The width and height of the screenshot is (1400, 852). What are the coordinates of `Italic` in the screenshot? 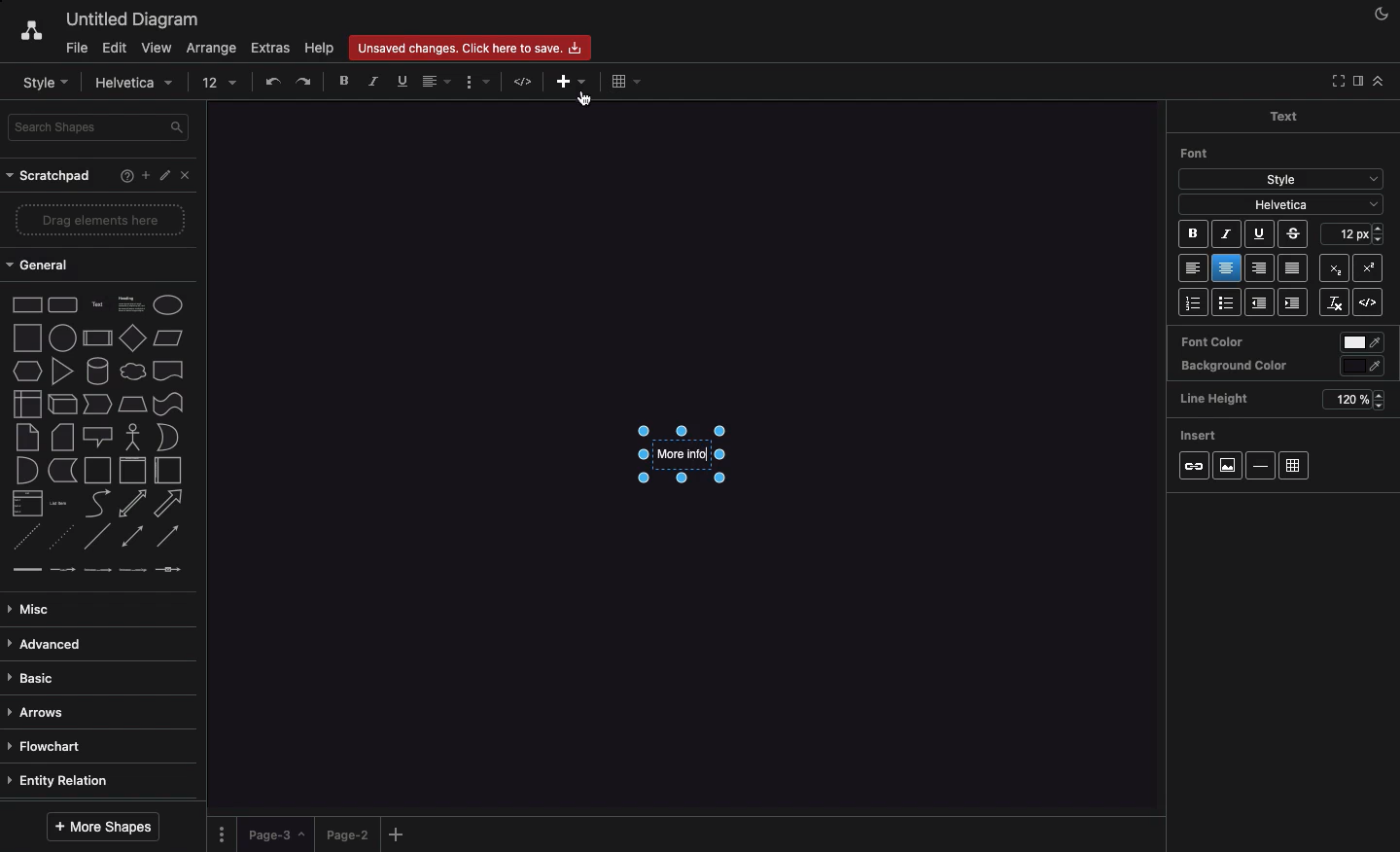 It's located at (1226, 234).